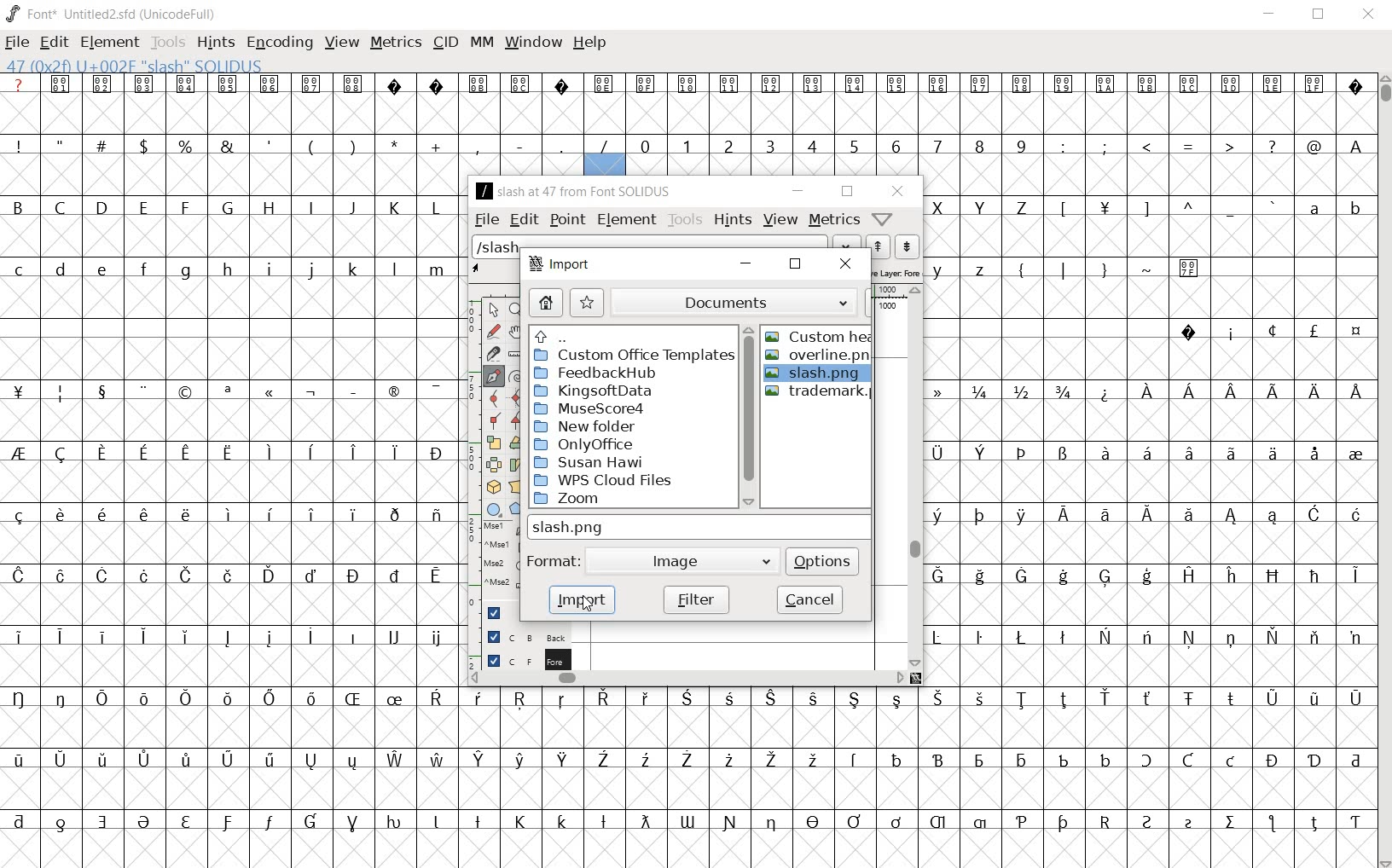  Describe the element at coordinates (229, 515) in the screenshot. I see `special letters` at that location.